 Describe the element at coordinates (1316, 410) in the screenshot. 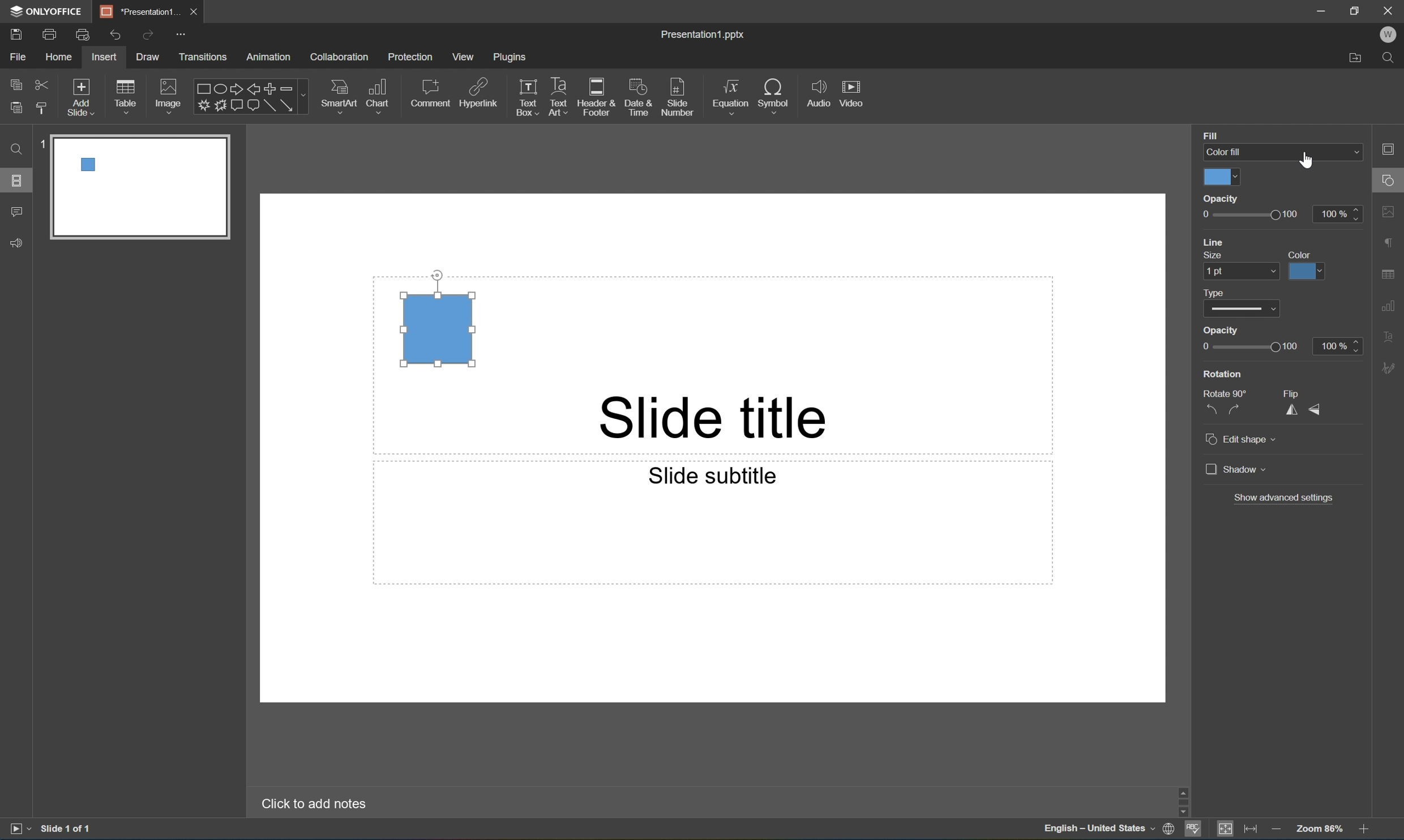

I see `Flip Vertically` at that location.